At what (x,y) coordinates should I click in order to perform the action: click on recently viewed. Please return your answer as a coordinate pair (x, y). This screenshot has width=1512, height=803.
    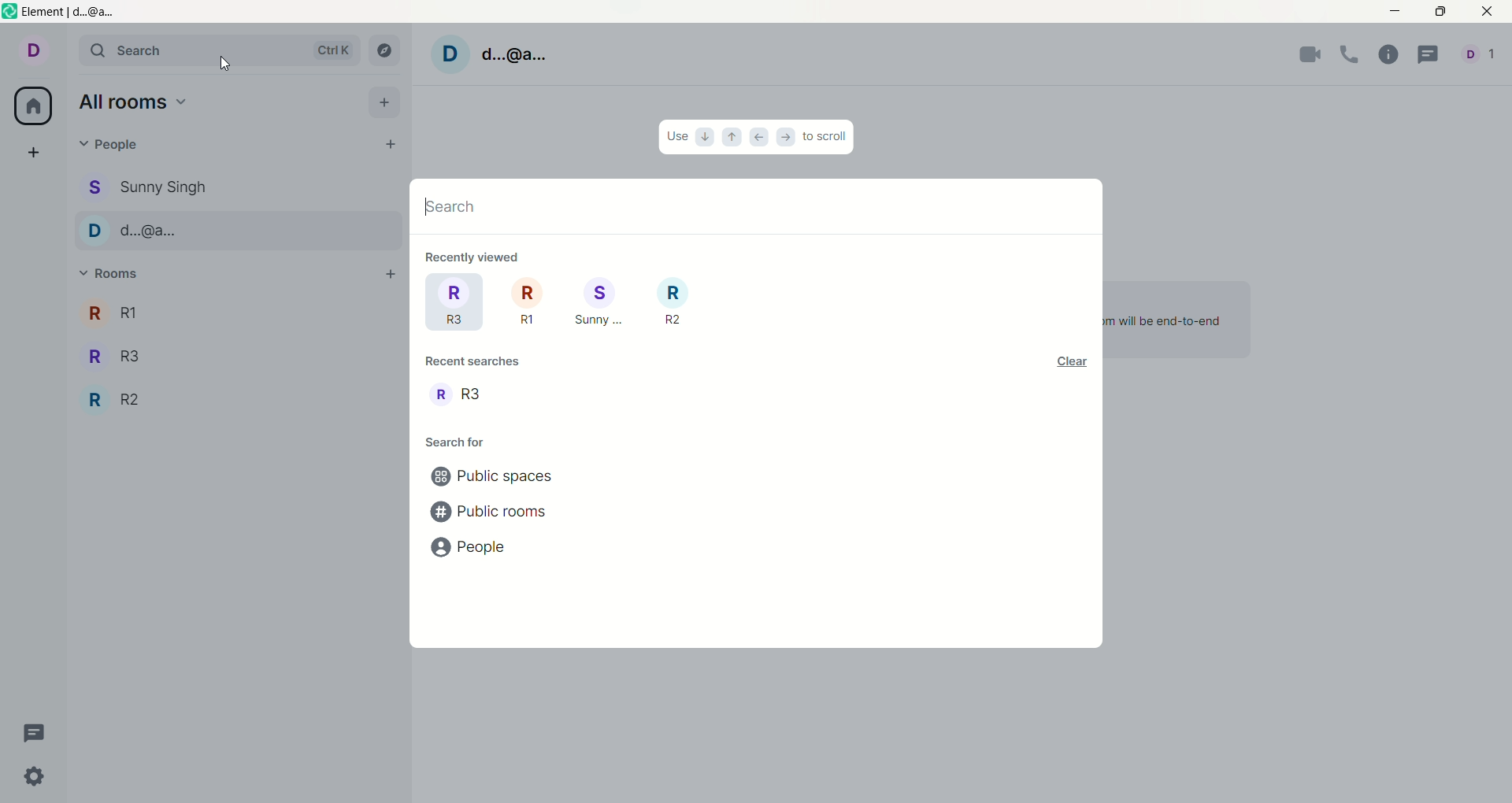
    Looking at the image, I should click on (475, 256).